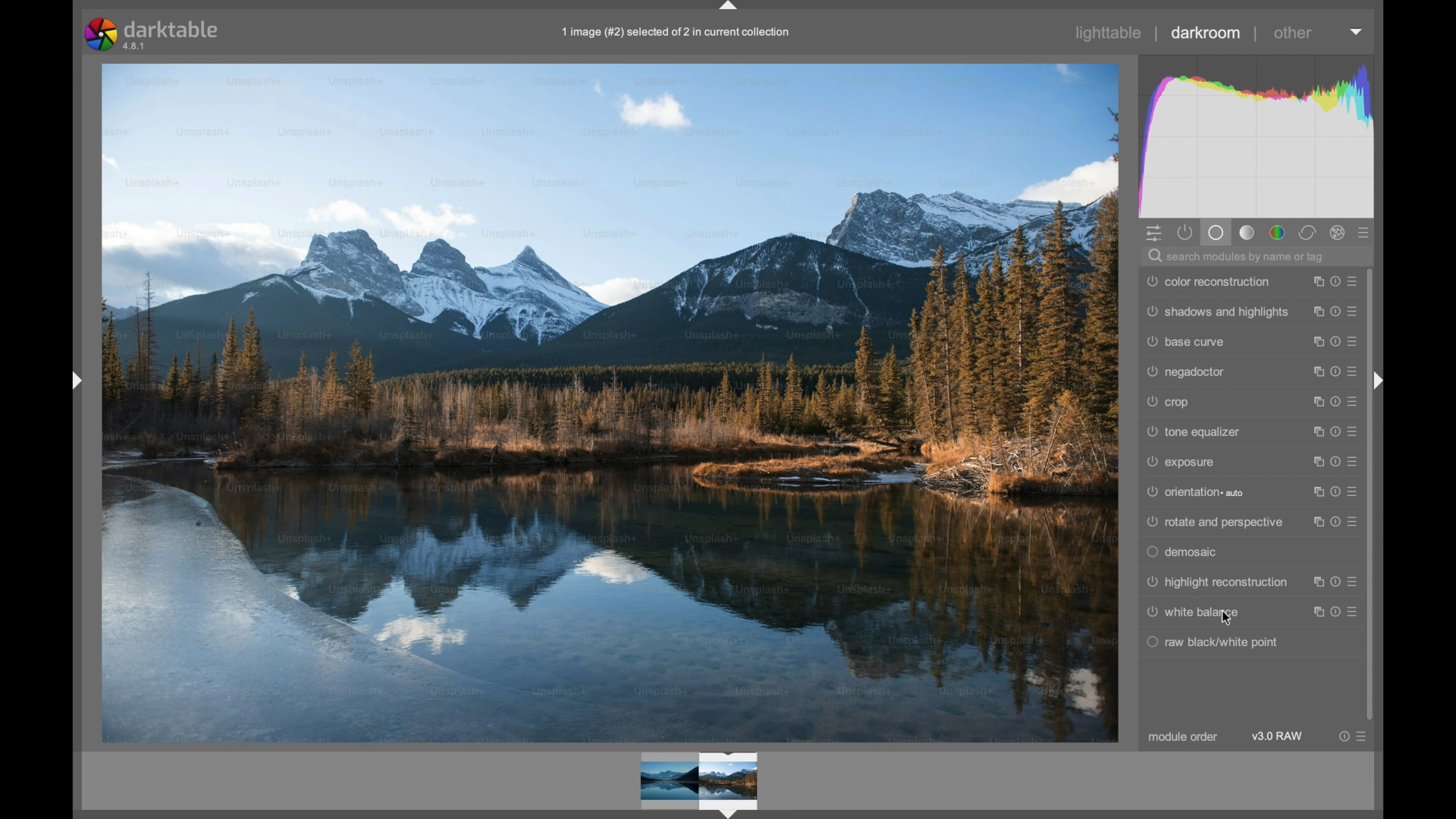 The image size is (1456, 819). I want to click on base curve, so click(1185, 342).